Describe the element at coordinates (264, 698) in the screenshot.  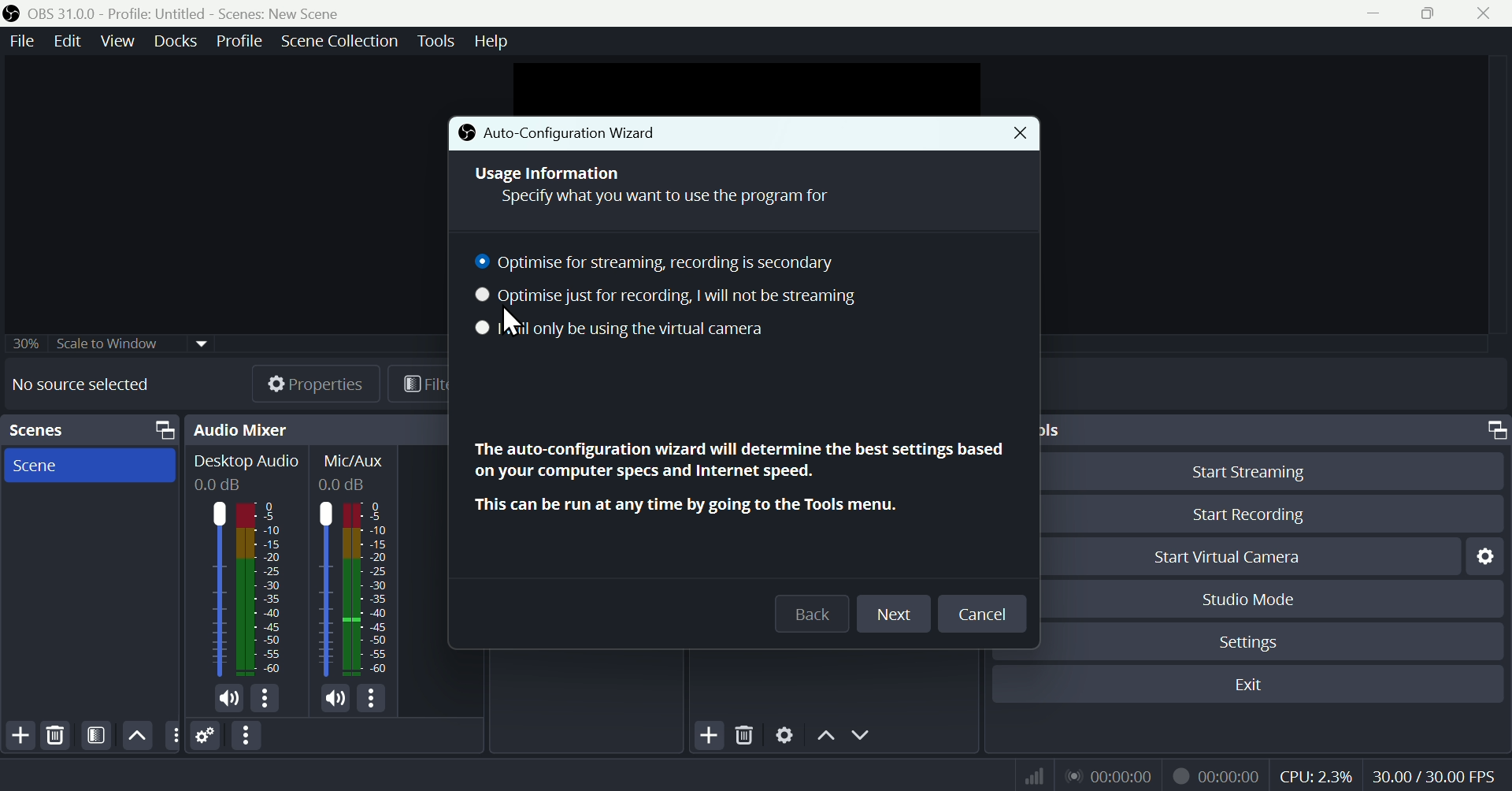
I see `options` at that location.